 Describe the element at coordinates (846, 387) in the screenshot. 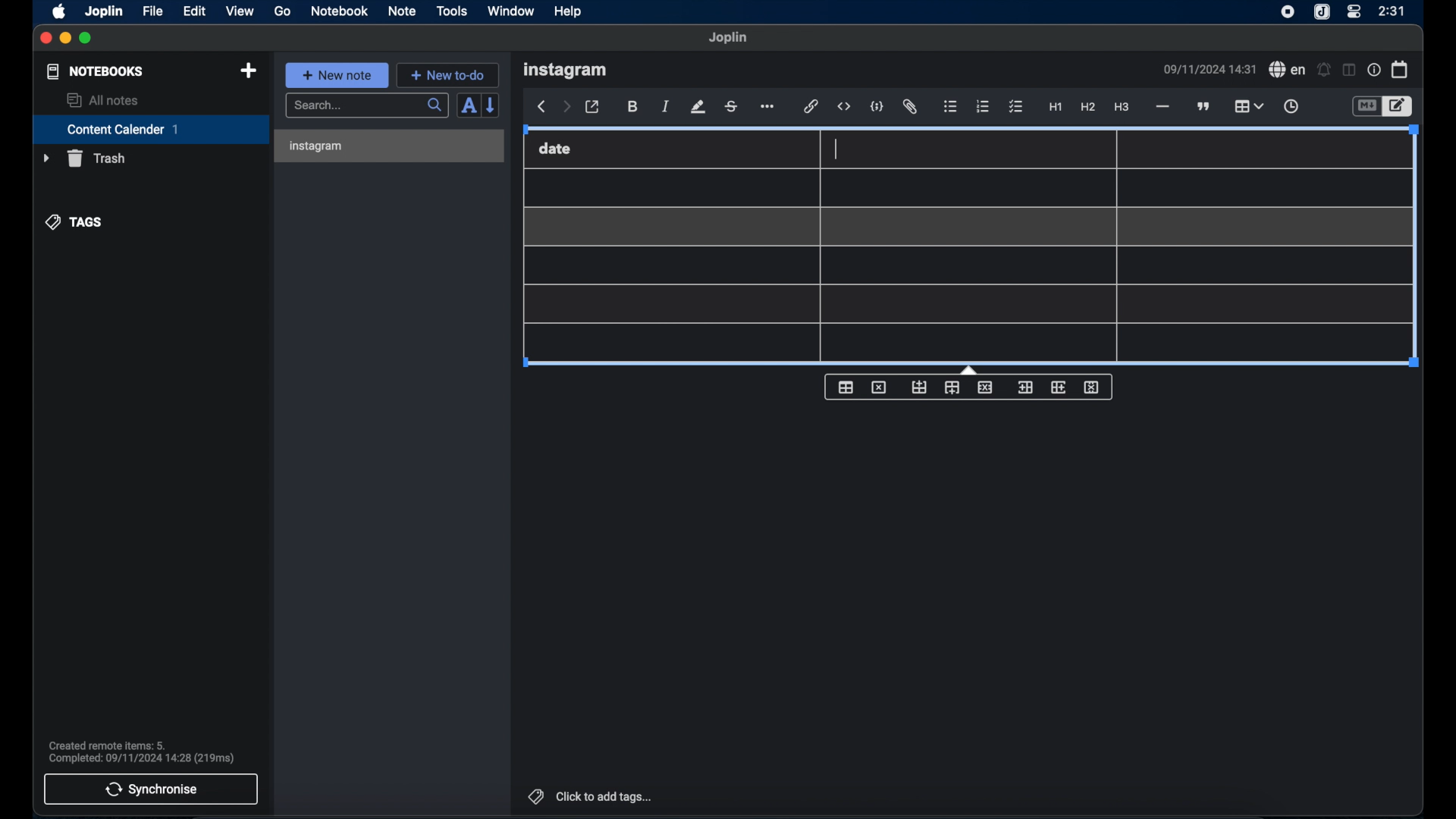

I see `table properties` at that location.